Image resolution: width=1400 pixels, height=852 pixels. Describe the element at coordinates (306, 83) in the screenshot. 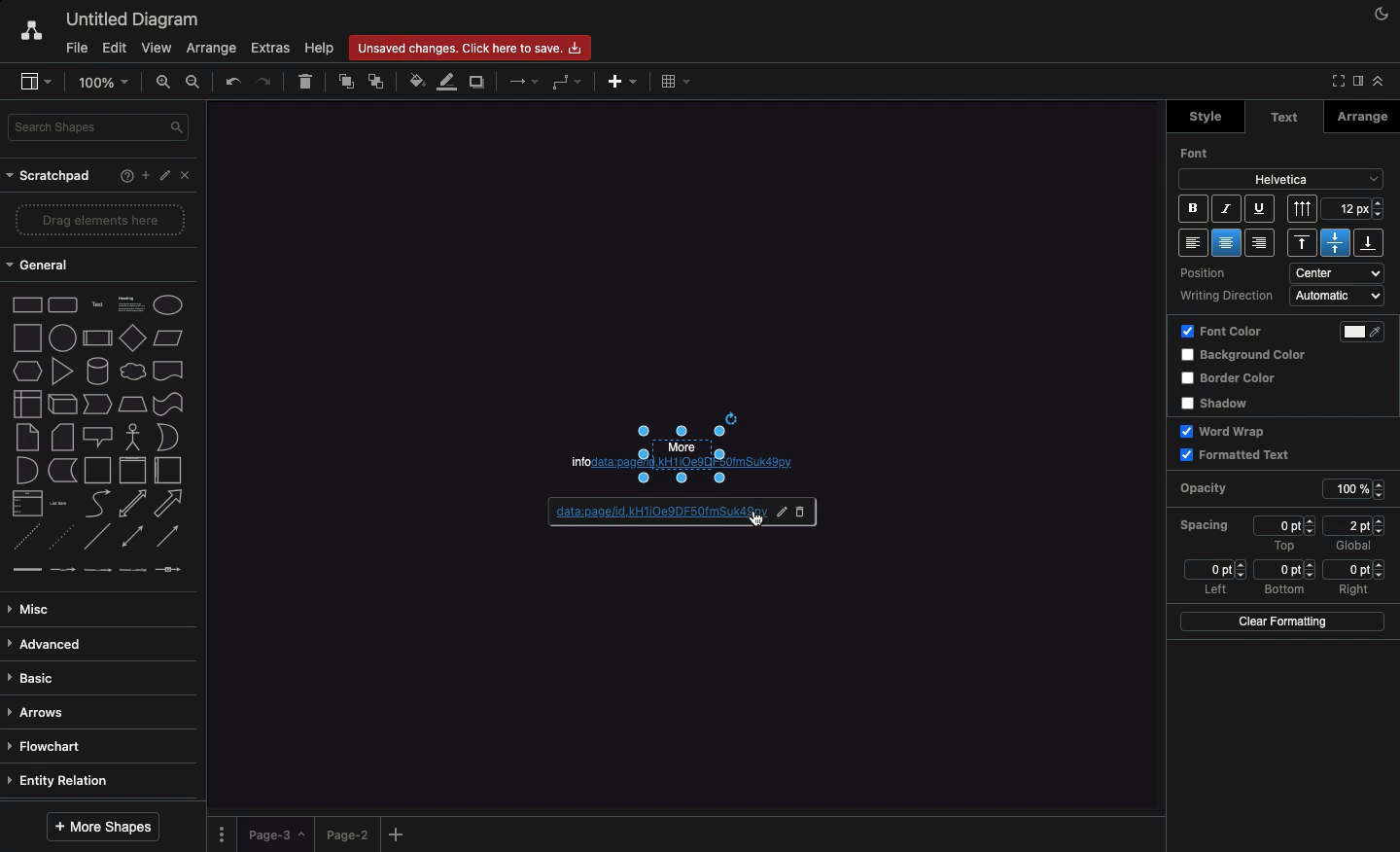

I see `Trash` at that location.